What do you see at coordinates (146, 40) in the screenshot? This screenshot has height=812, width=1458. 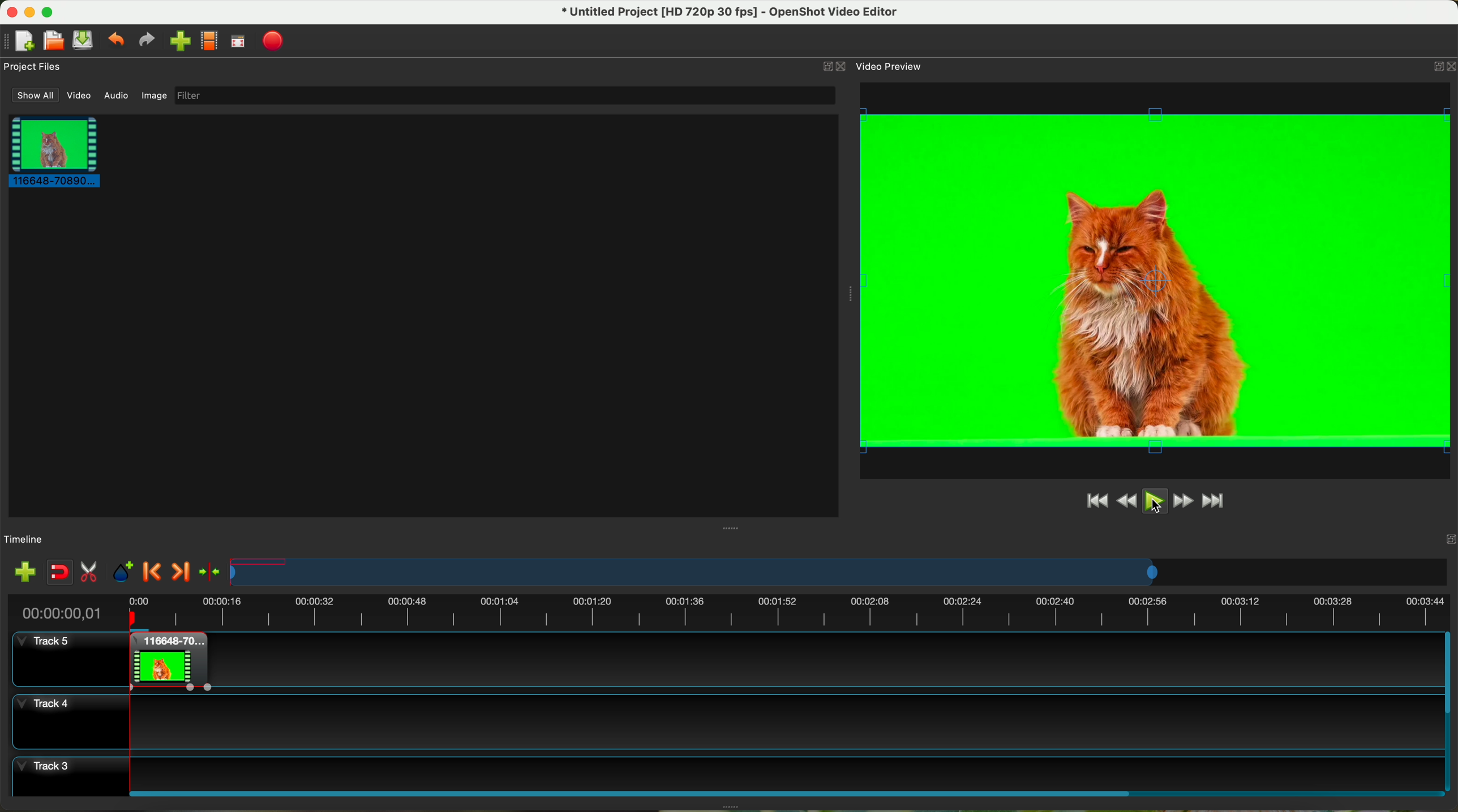 I see `redo` at bounding box center [146, 40].